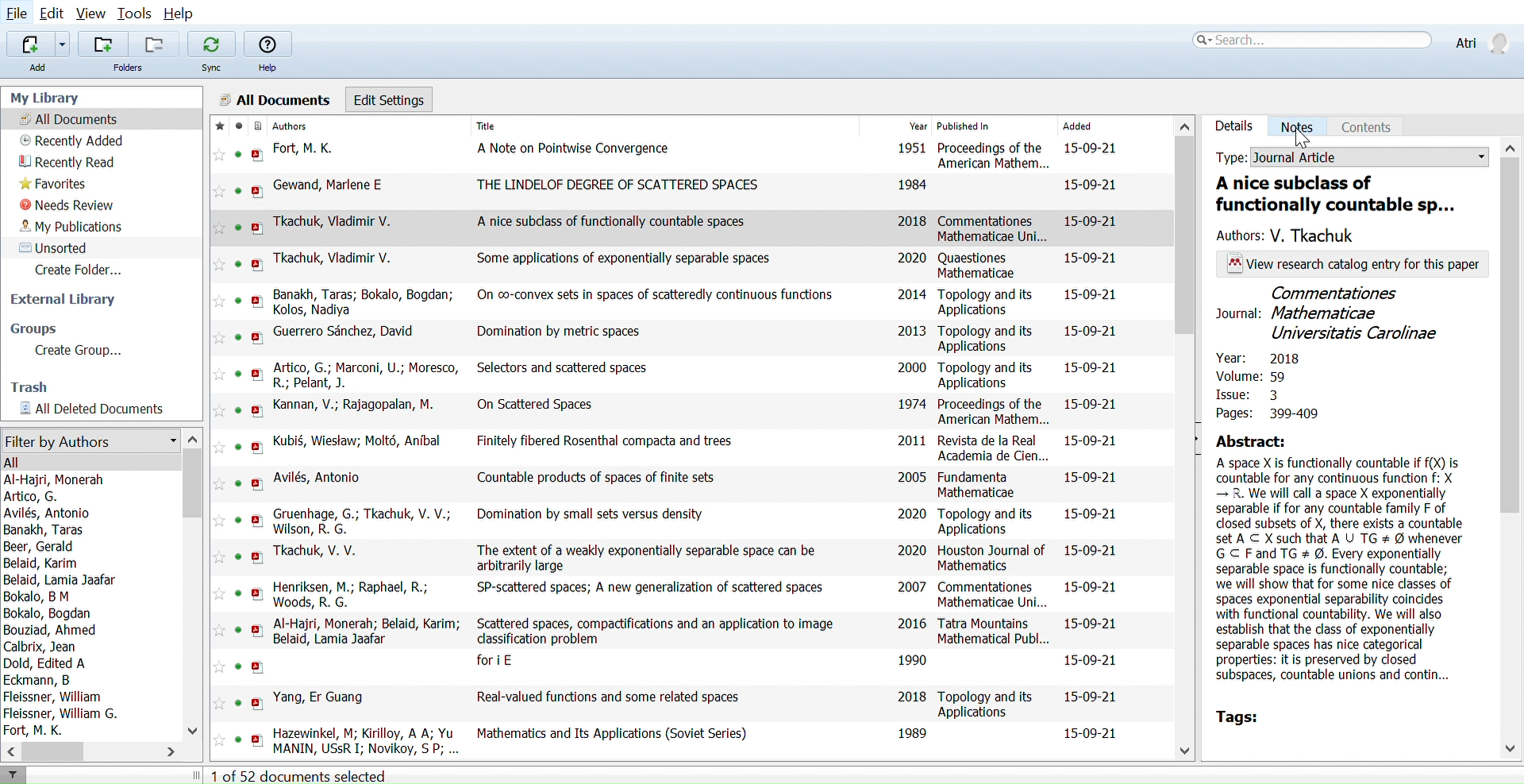  Describe the element at coordinates (911, 514) in the screenshot. I see `2020` at that location.